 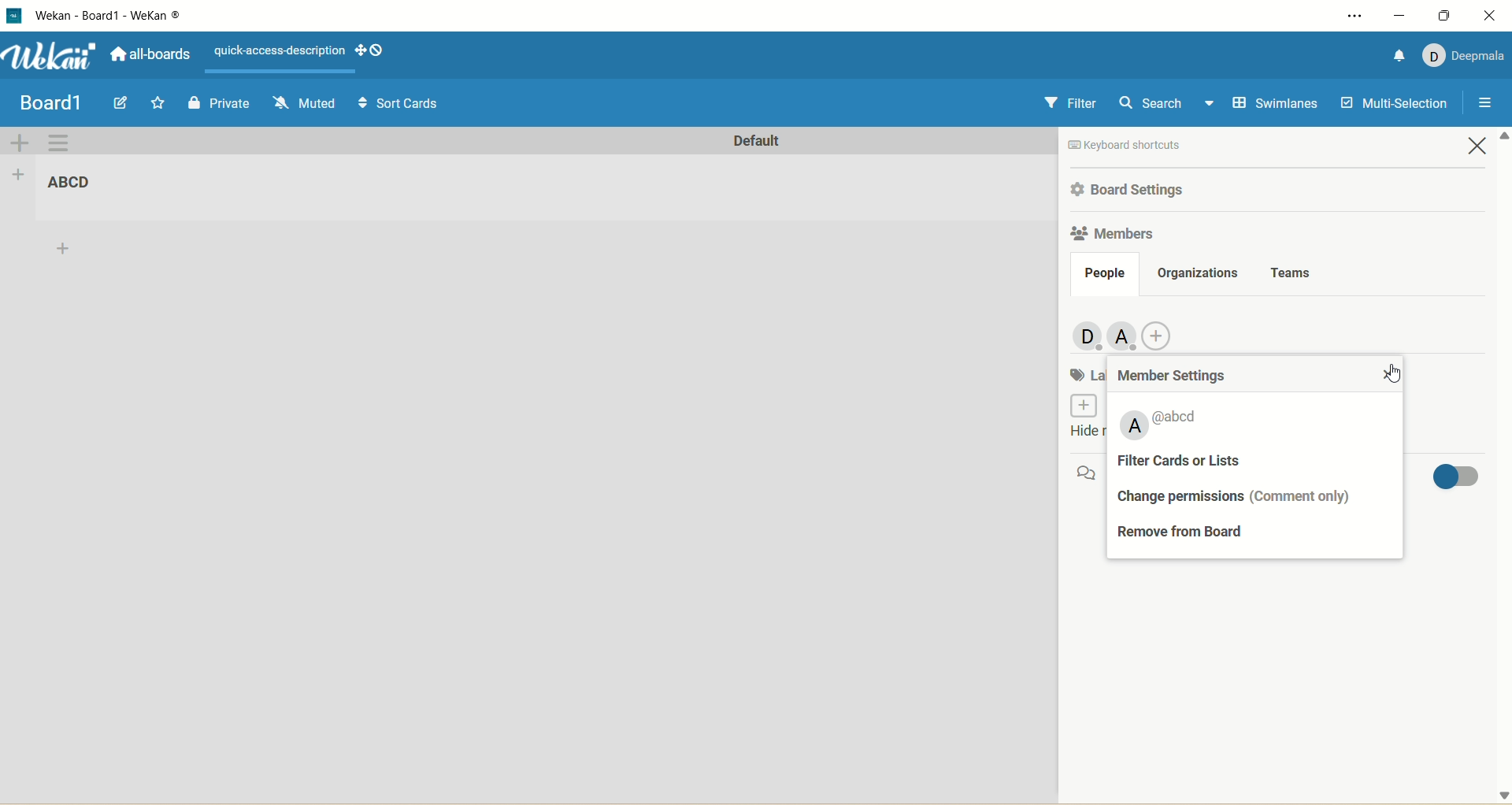 What do you see at coordinates (1397, 102) in the screenshot?
I see `multi selection` at bounding box center [1397, 102].